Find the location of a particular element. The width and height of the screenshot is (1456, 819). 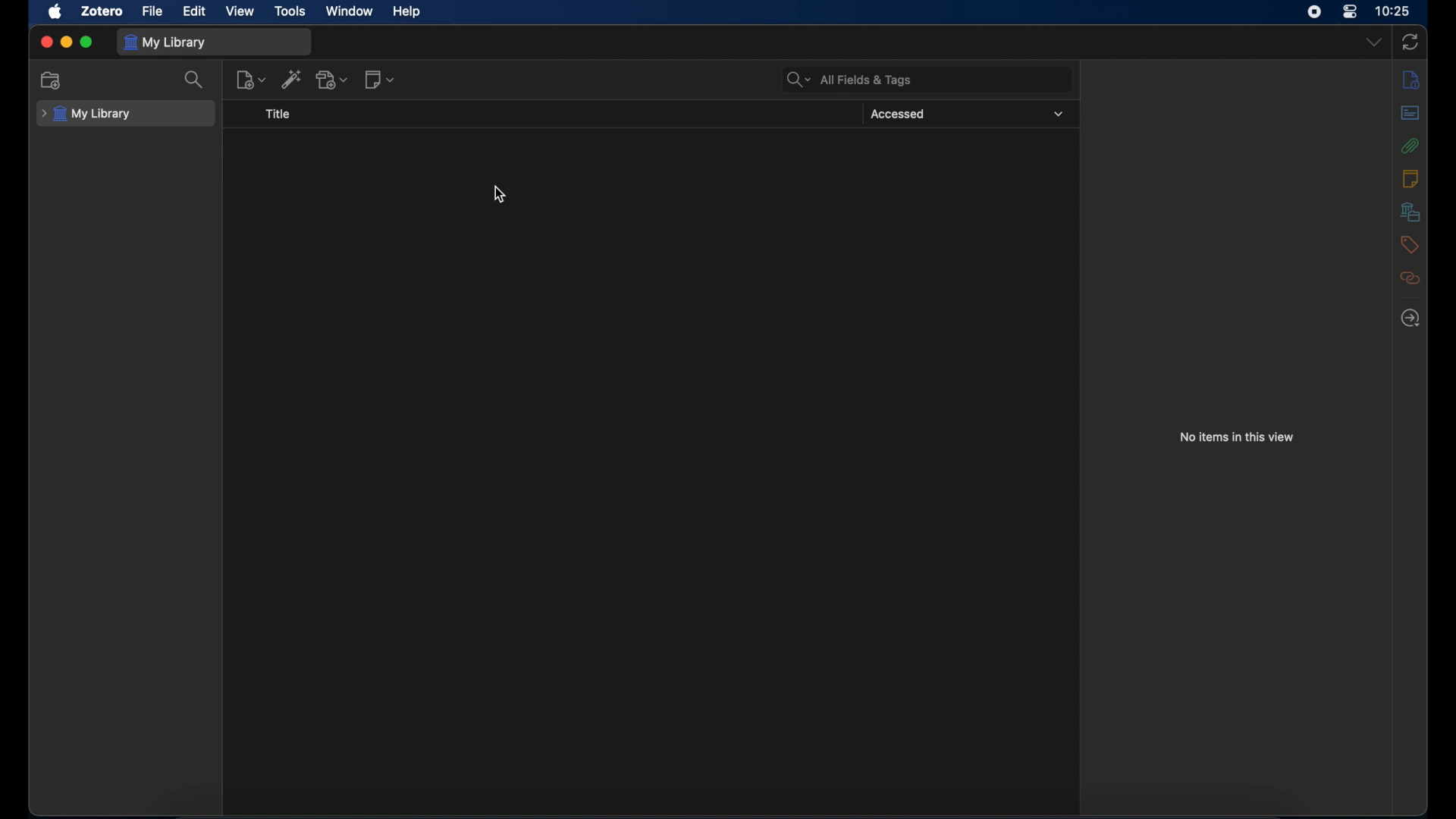

my library is located at coordinates (86, 114).